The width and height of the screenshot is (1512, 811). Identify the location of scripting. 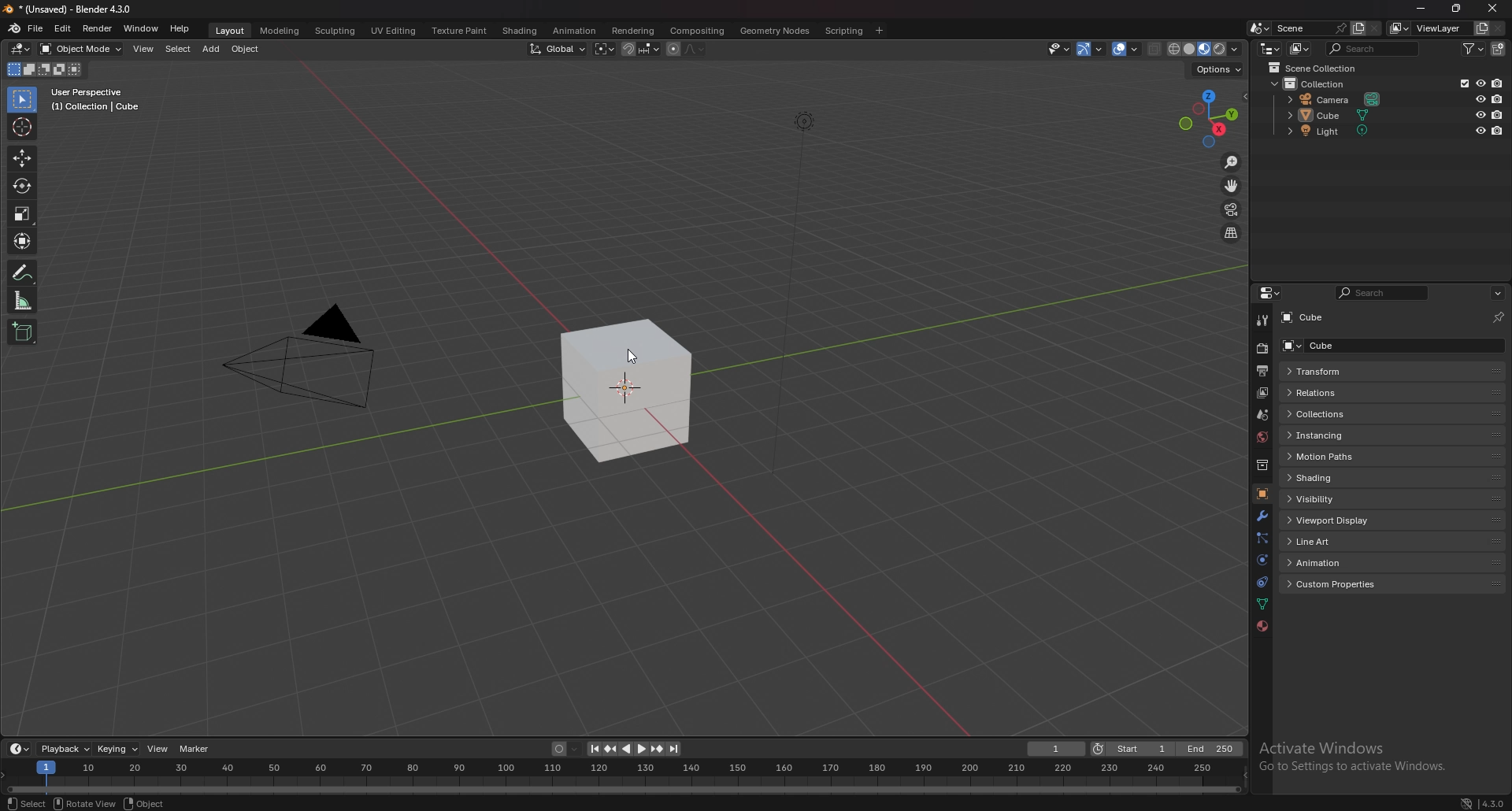
(844, 30).